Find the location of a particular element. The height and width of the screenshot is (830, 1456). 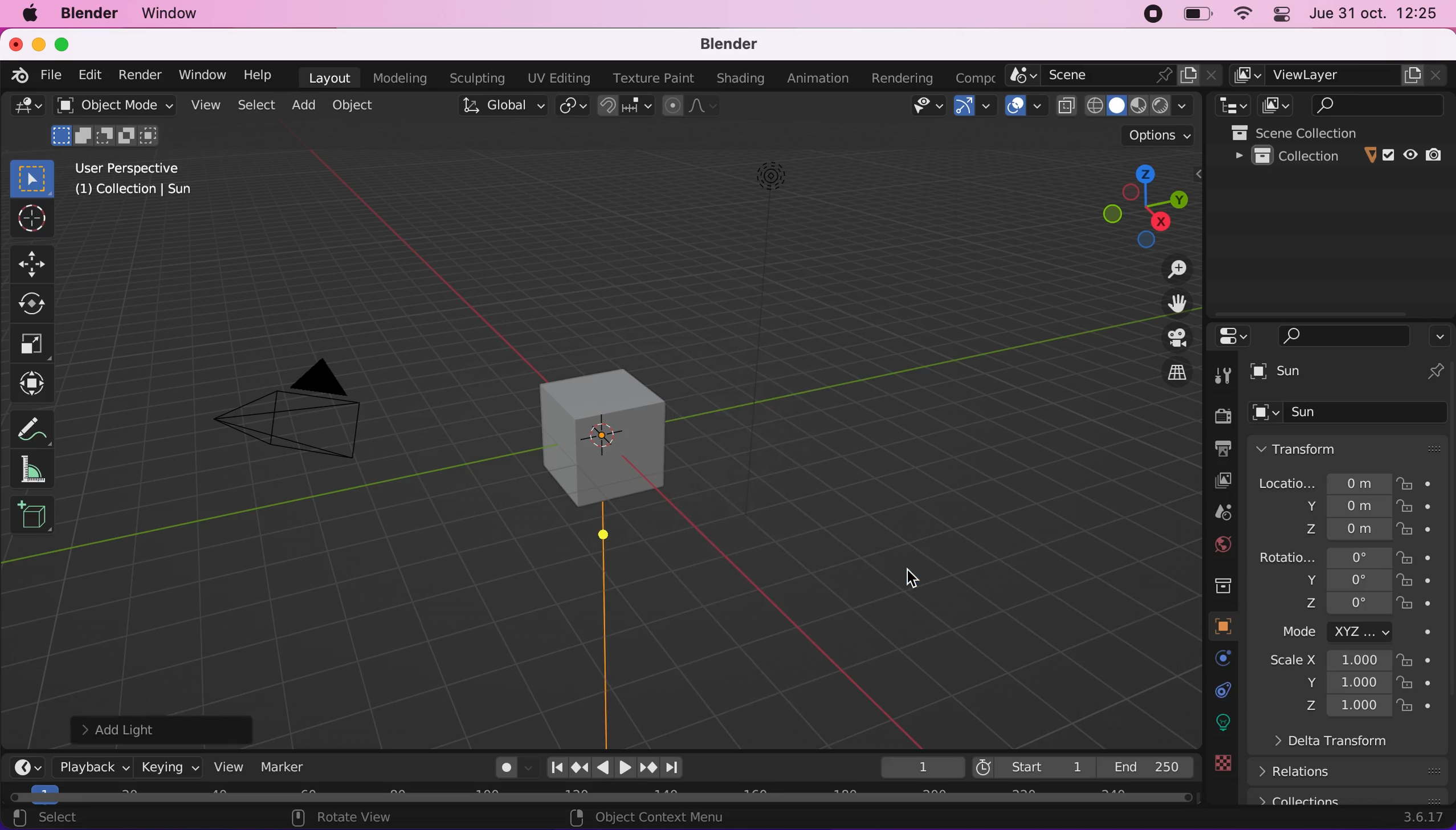

end 250 is located at coordinates (1145, 765).